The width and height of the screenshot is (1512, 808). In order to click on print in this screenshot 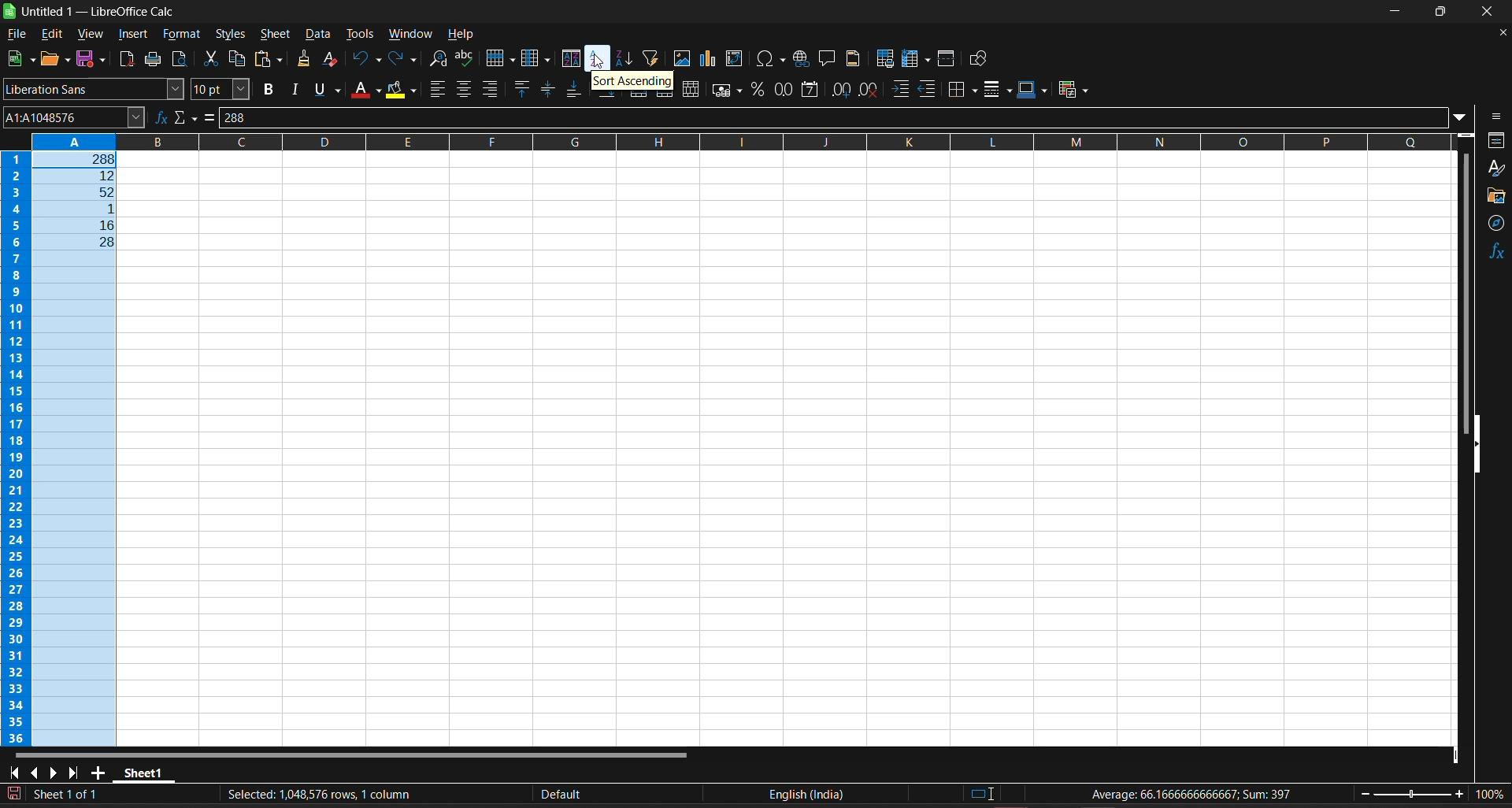, I will do `click(153, 60)`.